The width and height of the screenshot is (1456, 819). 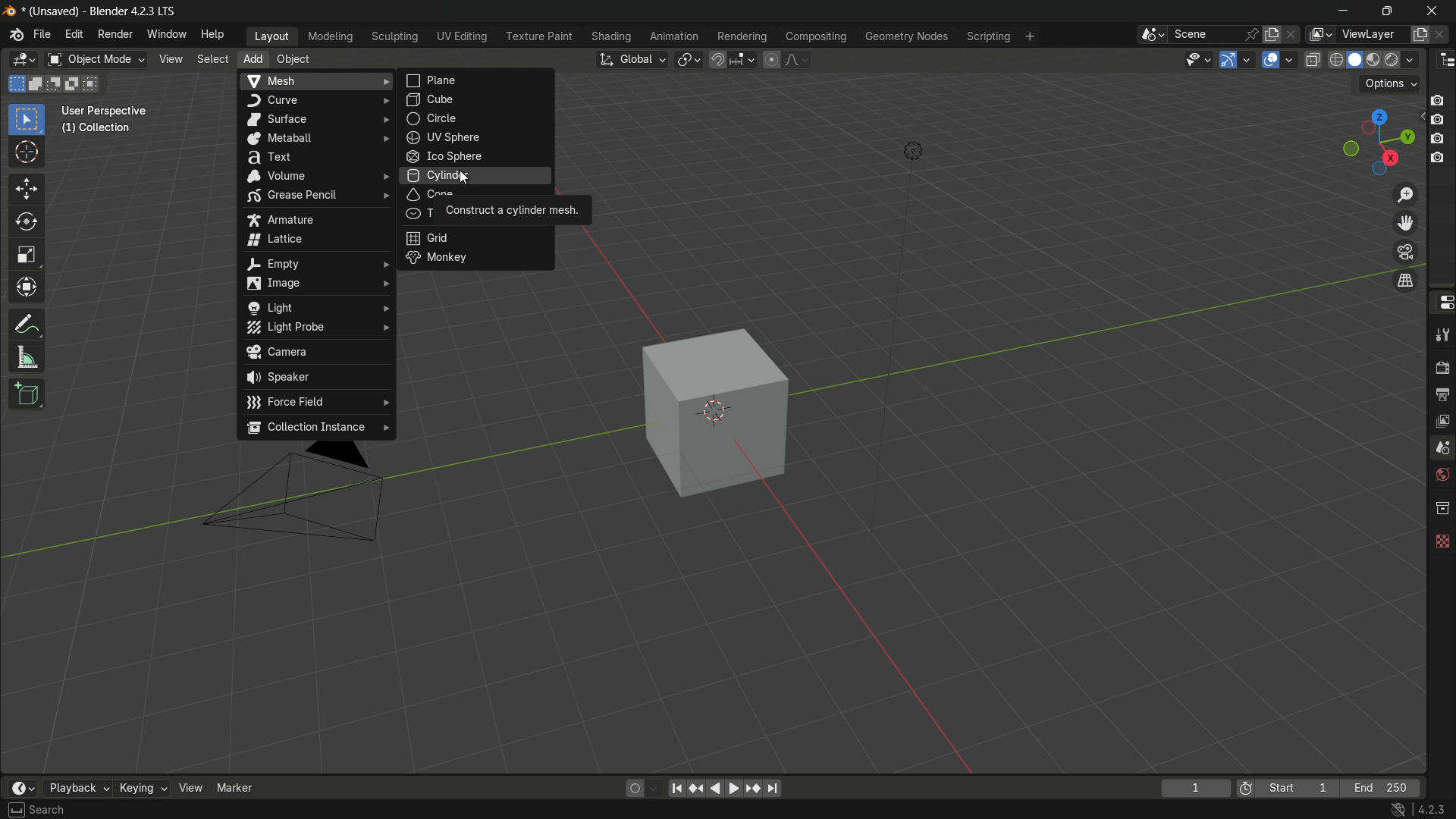 What do you see at coordinates (36, 811) in the screenshot?
I see `select` at bounding box center [36, 811].